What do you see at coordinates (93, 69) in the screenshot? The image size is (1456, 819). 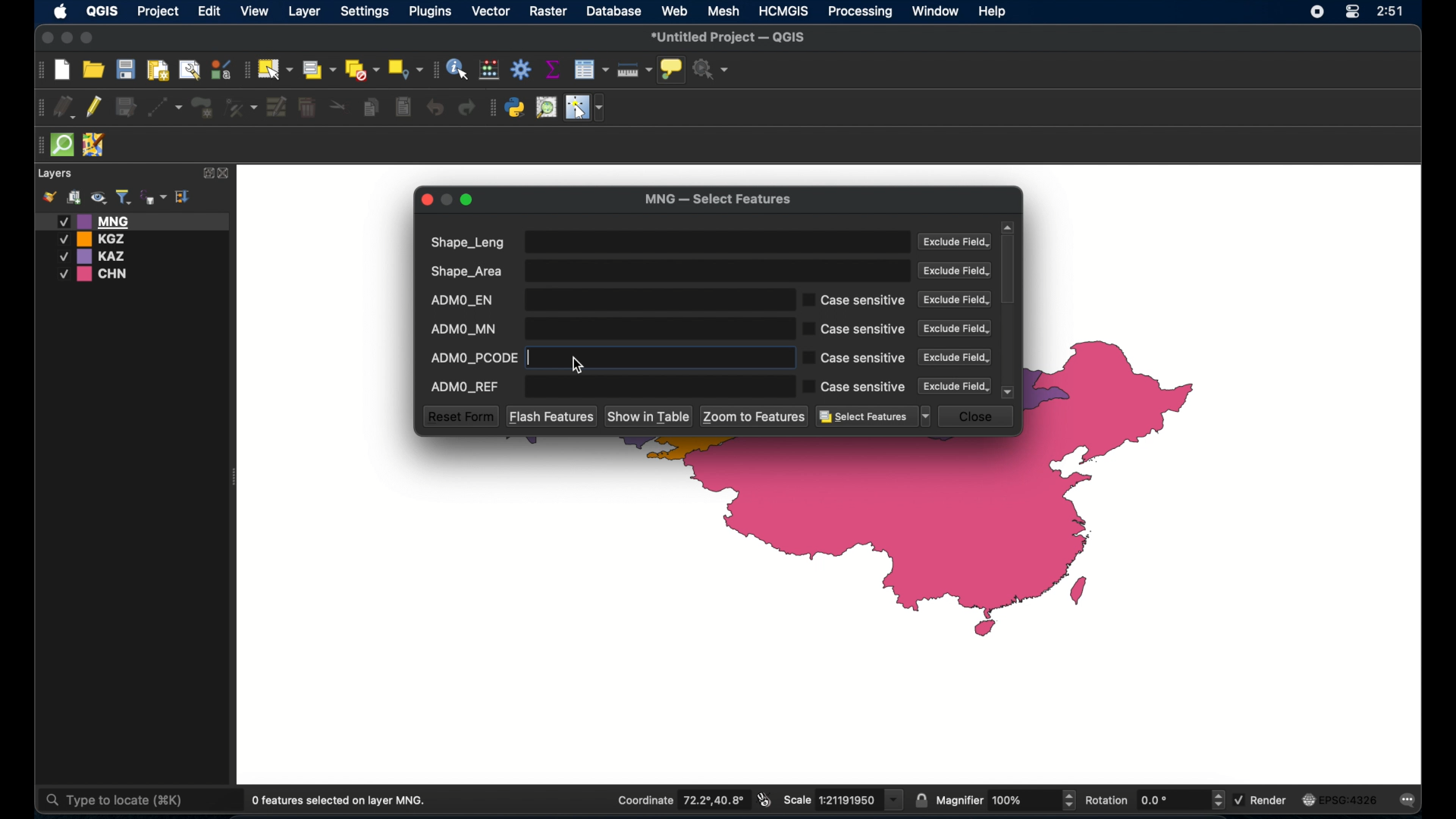 I see `open project` at bounding box center [93, 69].